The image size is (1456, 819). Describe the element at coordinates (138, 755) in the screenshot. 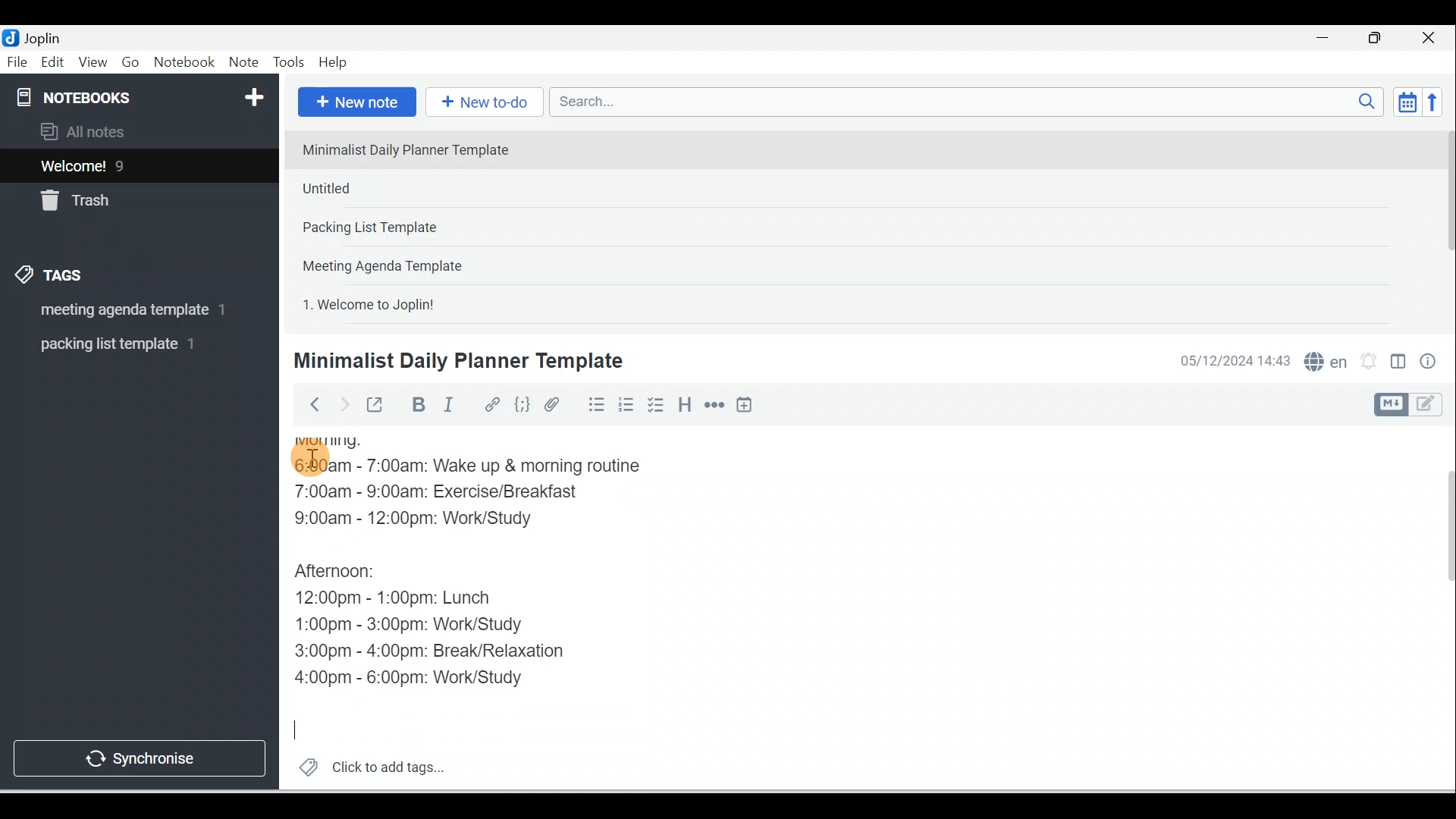

I see `Synchronise` at that location.